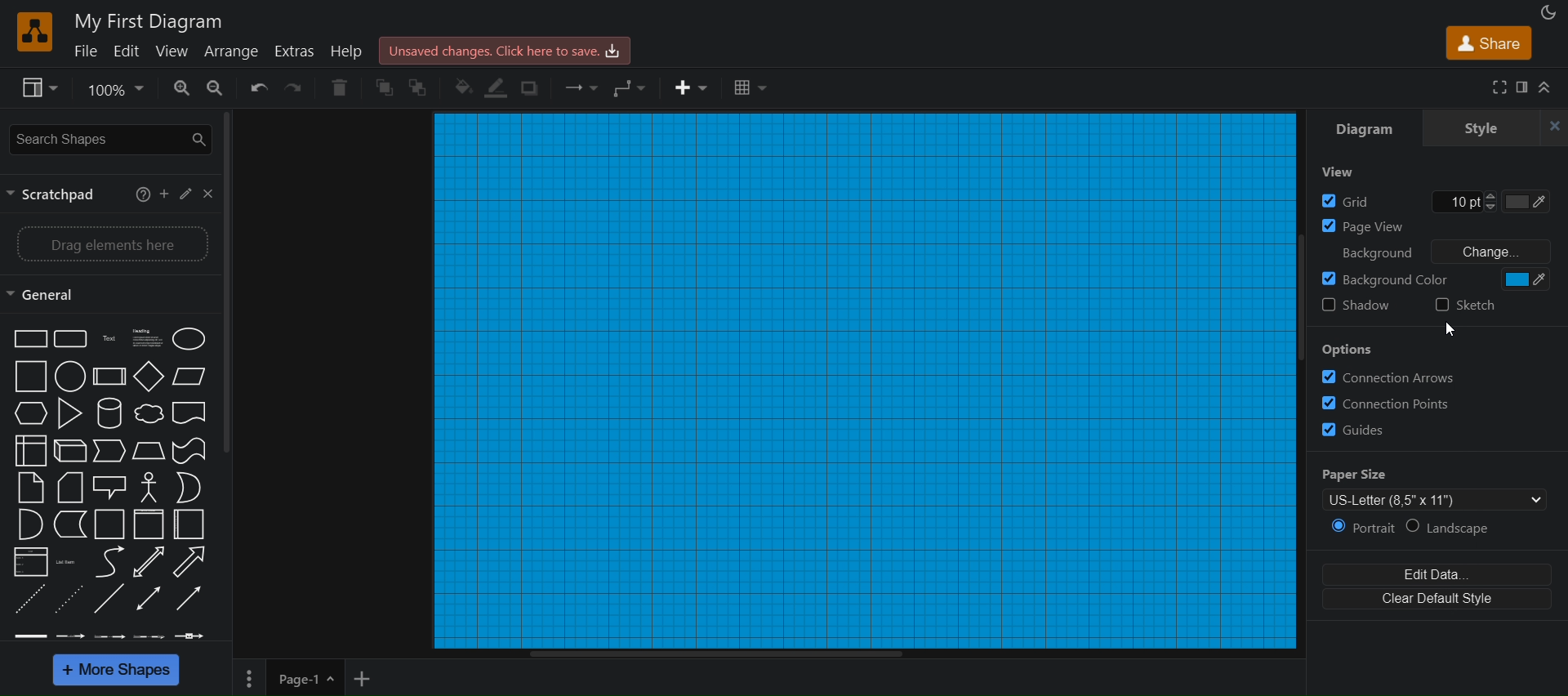 This screenshot has height=696, width=1568. Describe the element at coordinates (463, 90) in the screenshot. I see `fill color` at that location.